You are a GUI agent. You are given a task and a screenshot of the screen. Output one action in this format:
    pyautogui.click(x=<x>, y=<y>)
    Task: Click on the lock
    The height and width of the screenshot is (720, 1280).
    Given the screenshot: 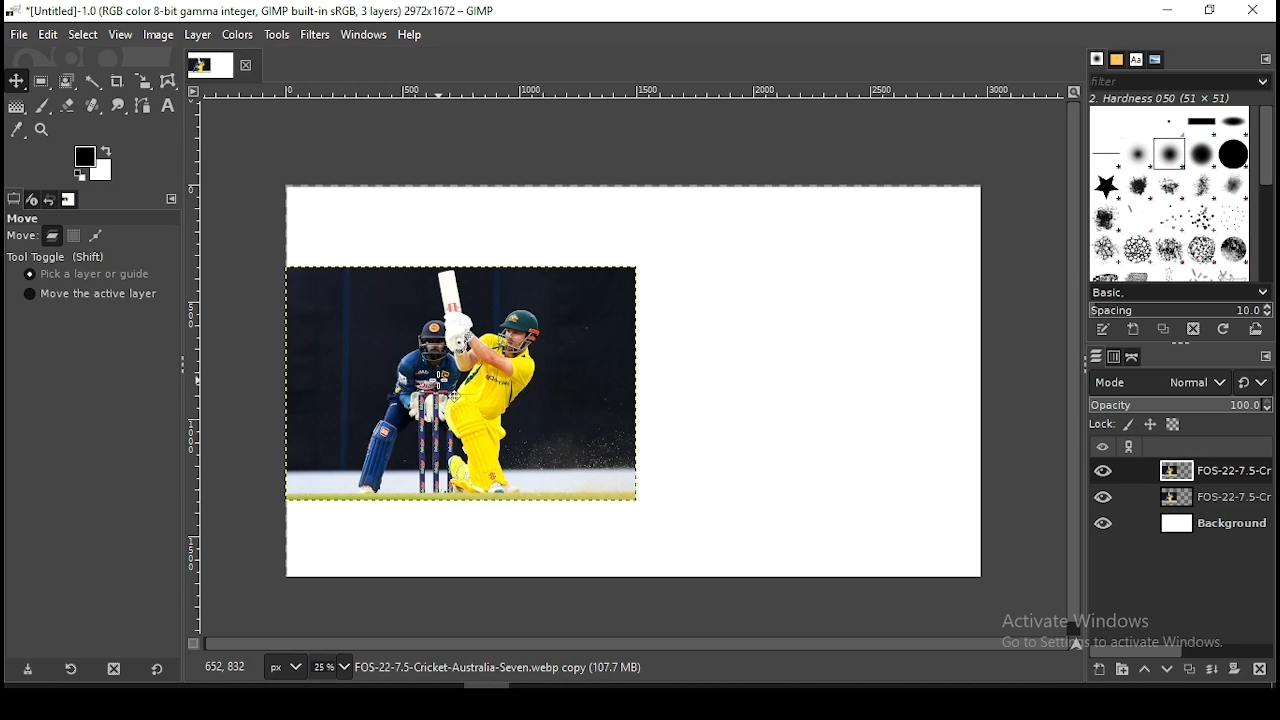 What is the action you would take?
    pyautogui.click(x=1100, y=425)
    